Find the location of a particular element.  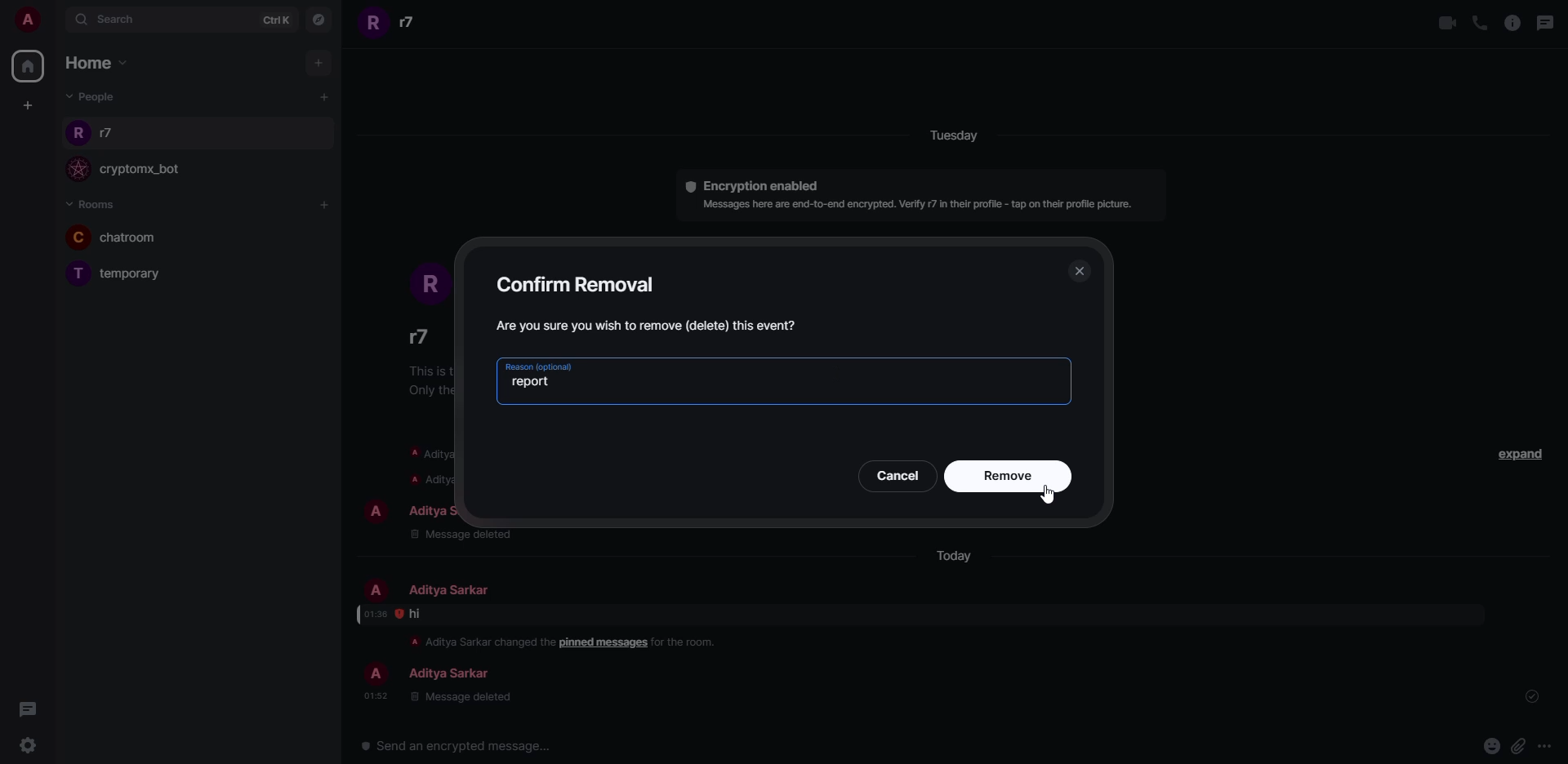

profile is located at coordinates (79, 273).